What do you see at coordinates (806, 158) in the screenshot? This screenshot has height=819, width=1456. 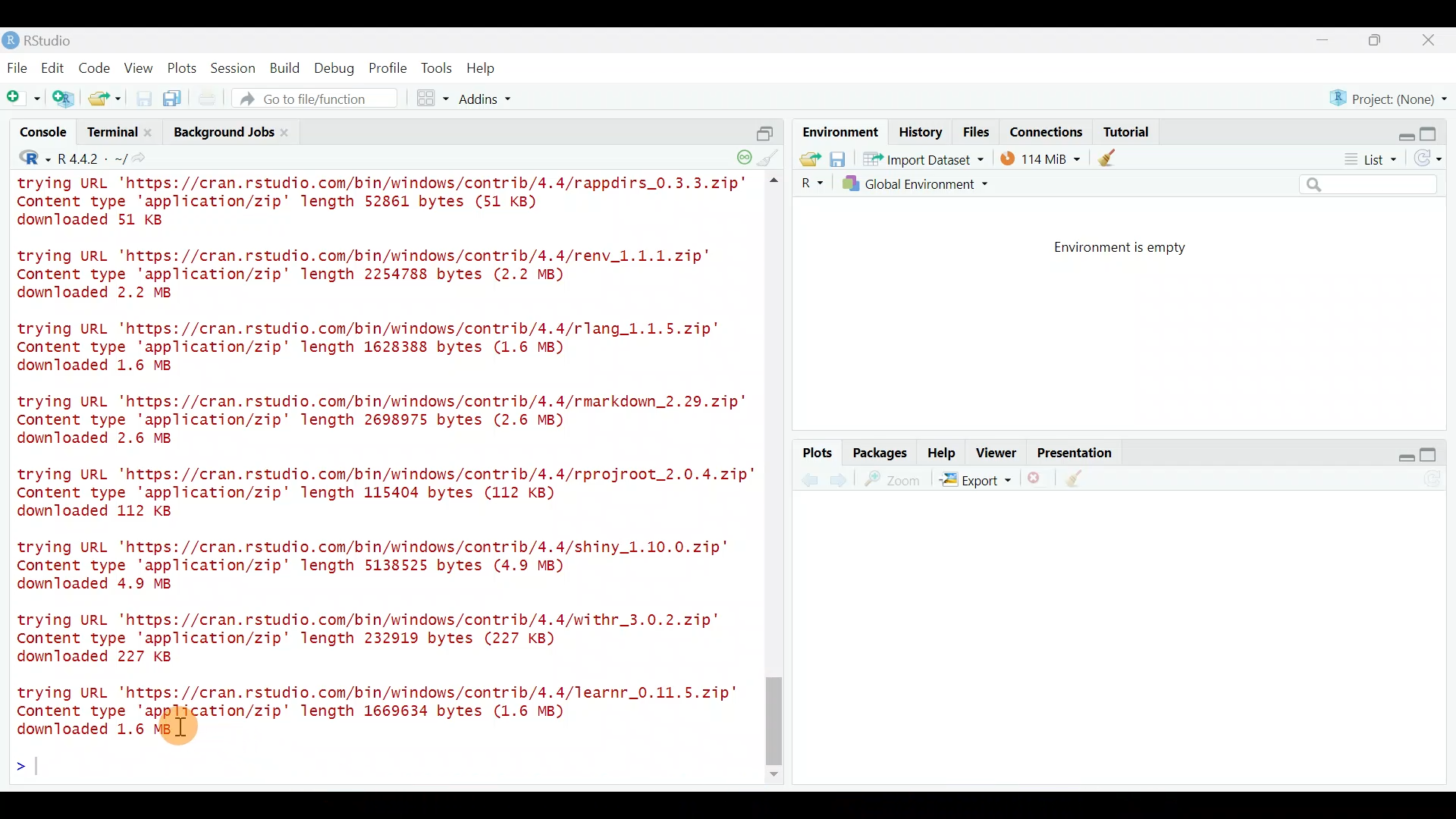 I see `Load workspace` at bounding box center [806, 158].